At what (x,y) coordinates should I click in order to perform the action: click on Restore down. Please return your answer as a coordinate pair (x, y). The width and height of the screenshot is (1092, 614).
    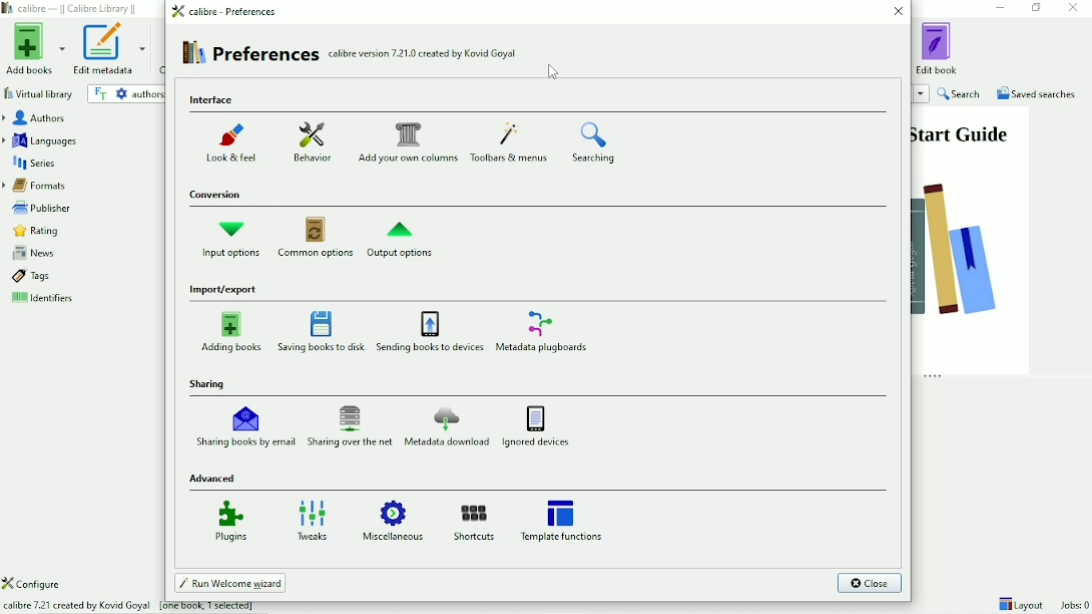
    Looking at the image, I should click on (1038, 8).